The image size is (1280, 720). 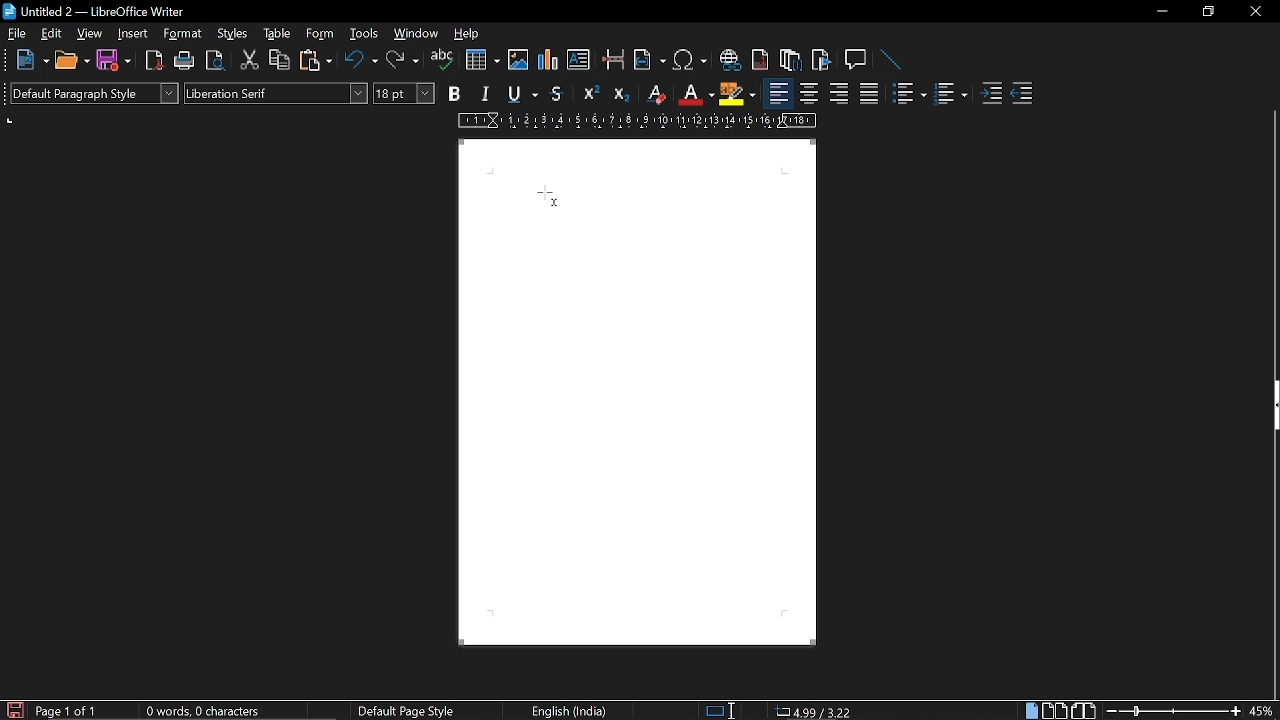 What do you see at coordinates (469, 37) in the screenshot?
I see `help` at bounding box center [469, 37].